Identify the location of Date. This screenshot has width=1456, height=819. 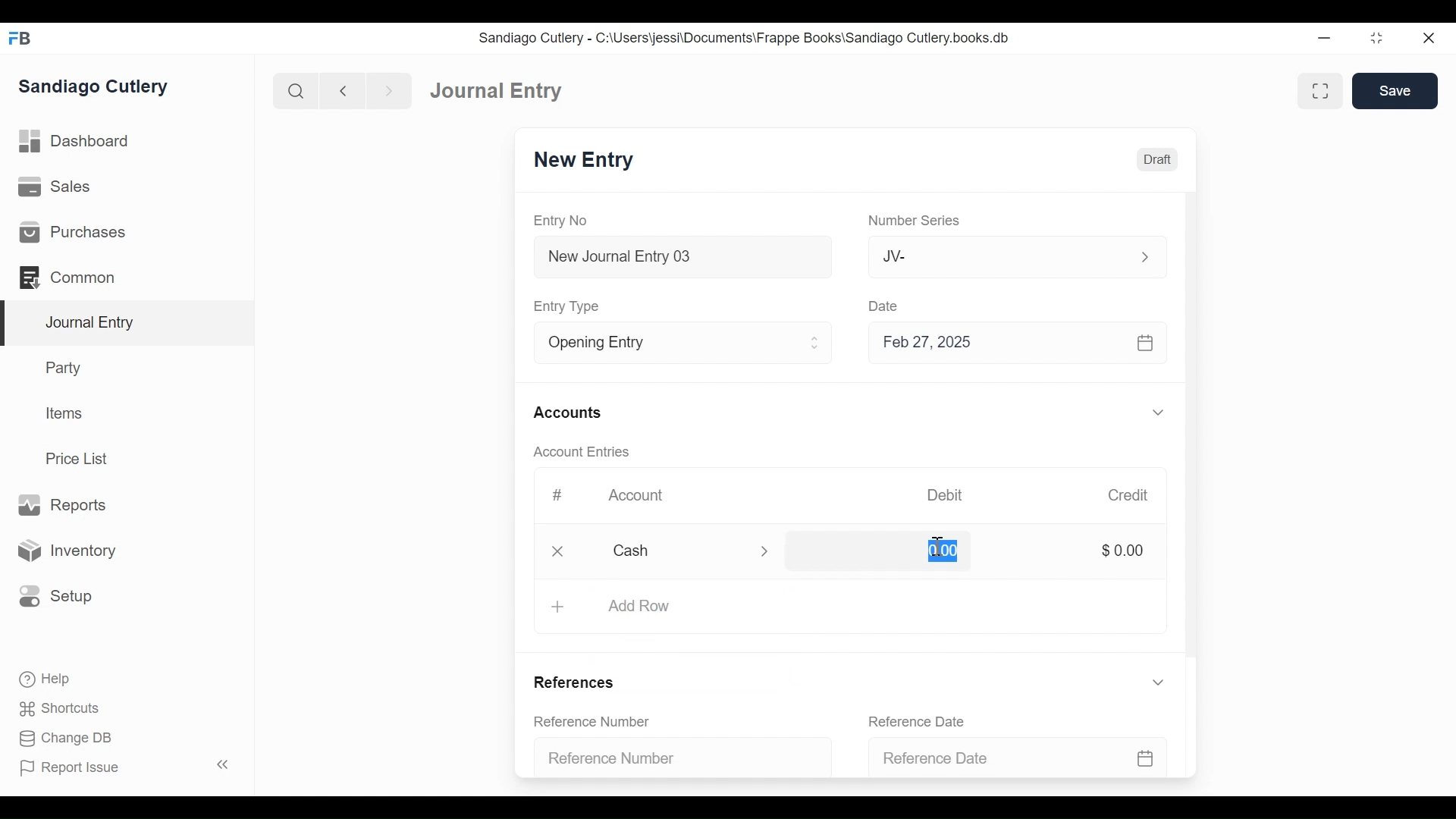
(886, 306).